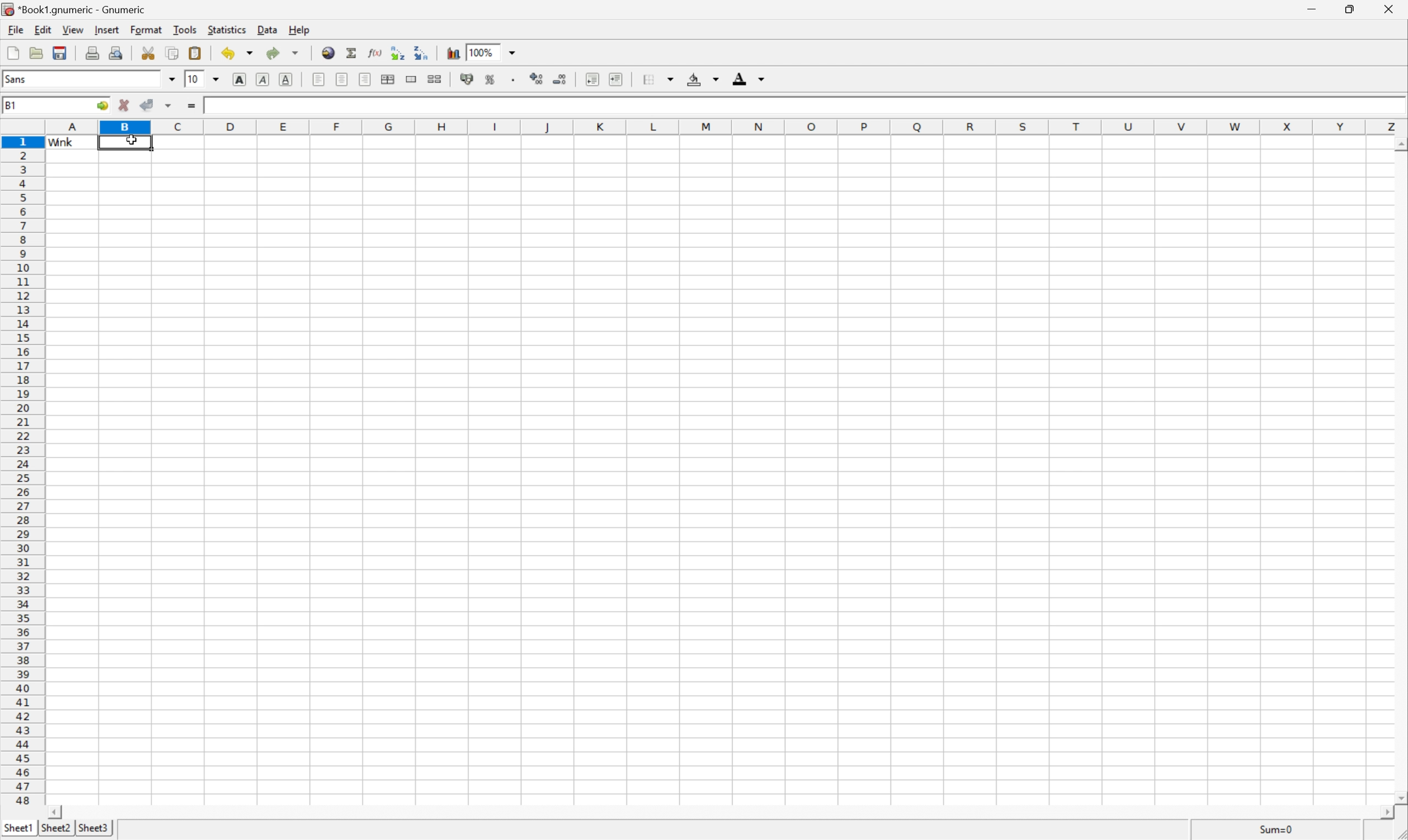 This screenshot has height=840, width=1408. Describe the element at coordinates (514, 52) in the screenshot. I see `drop down` at that location.